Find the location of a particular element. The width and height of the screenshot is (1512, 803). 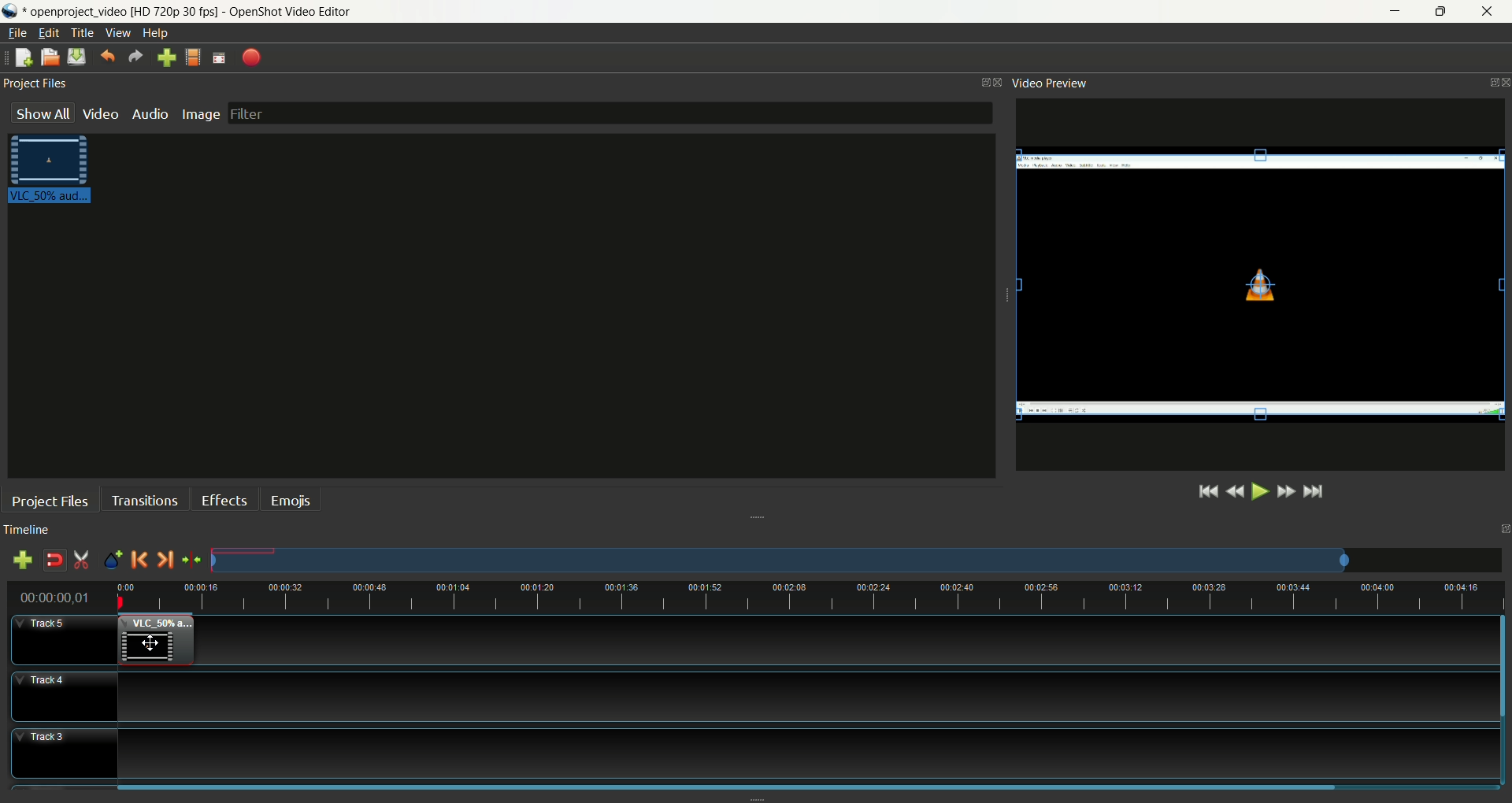

close is located at coordinates (1490, 12).